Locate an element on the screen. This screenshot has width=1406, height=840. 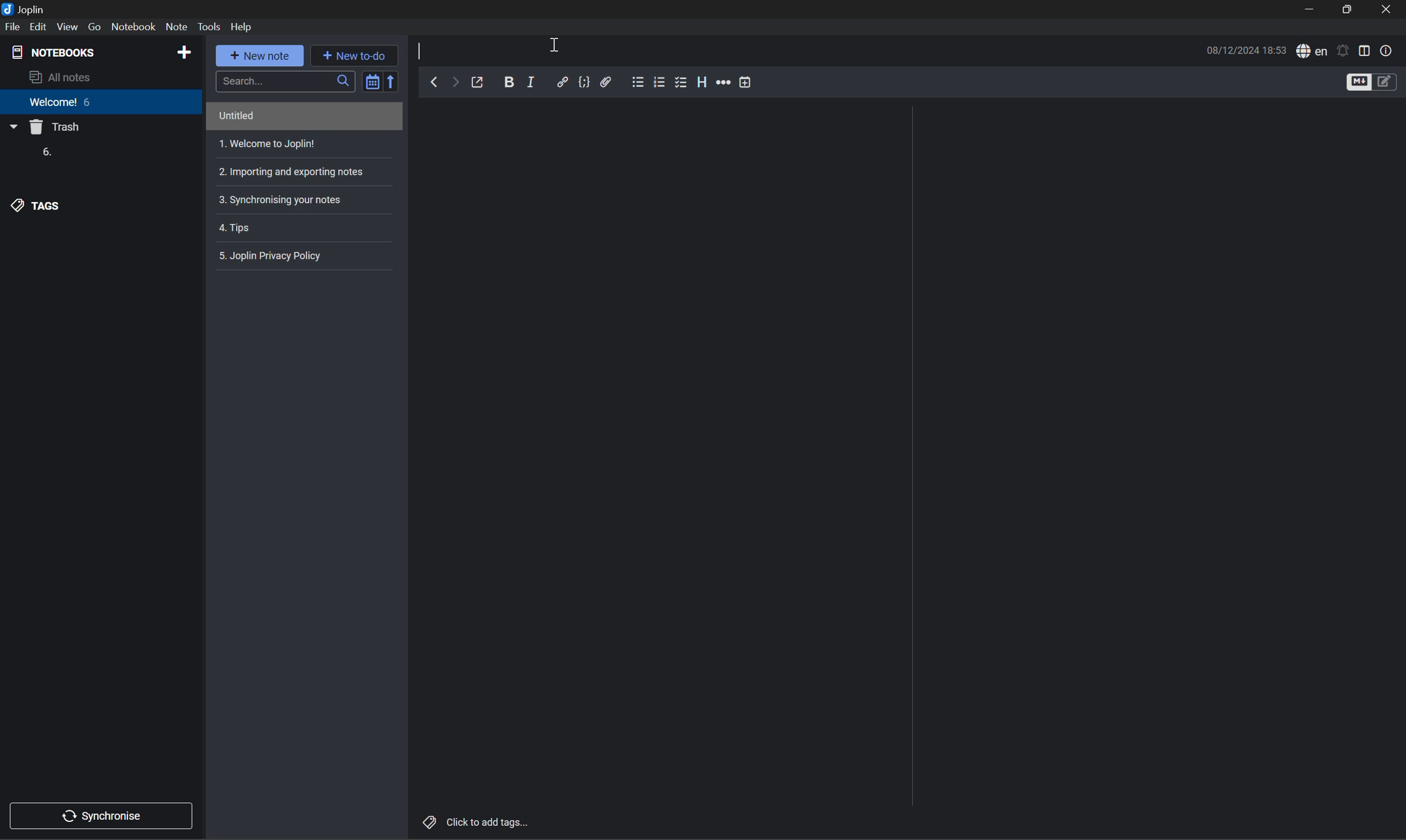
Close is located at coordinates (1388, 11).